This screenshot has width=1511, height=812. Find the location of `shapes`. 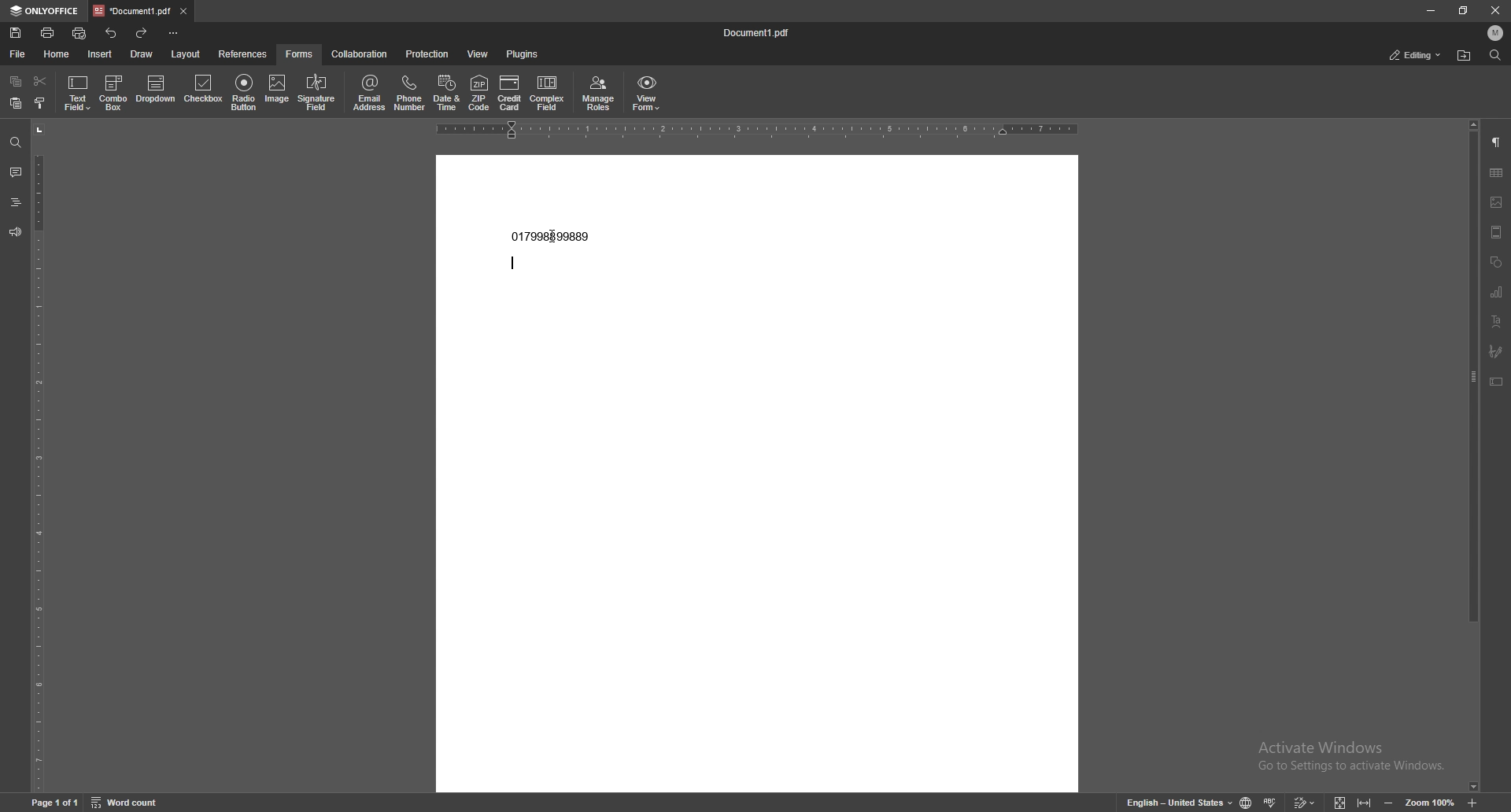

shapes is located at coordinates (1496, 263).